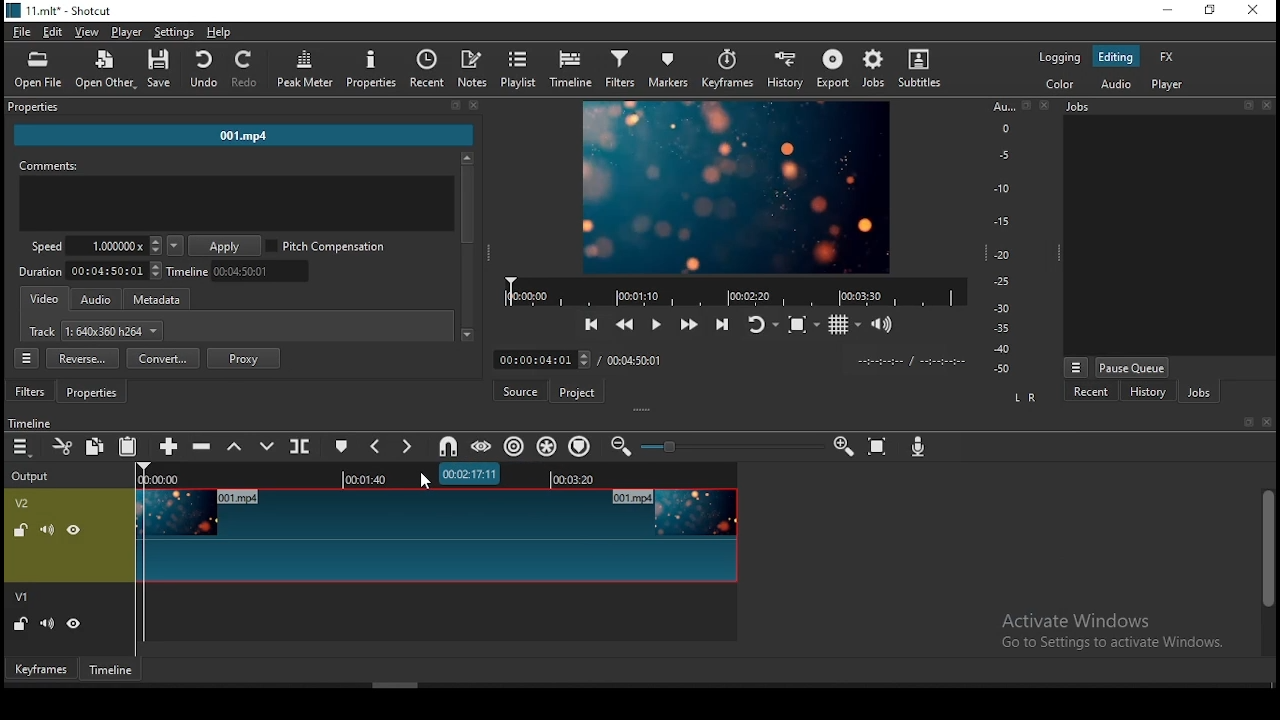  Describe the element at coordinates (421, 480) in the screenshot. I see `cursor` at that location.